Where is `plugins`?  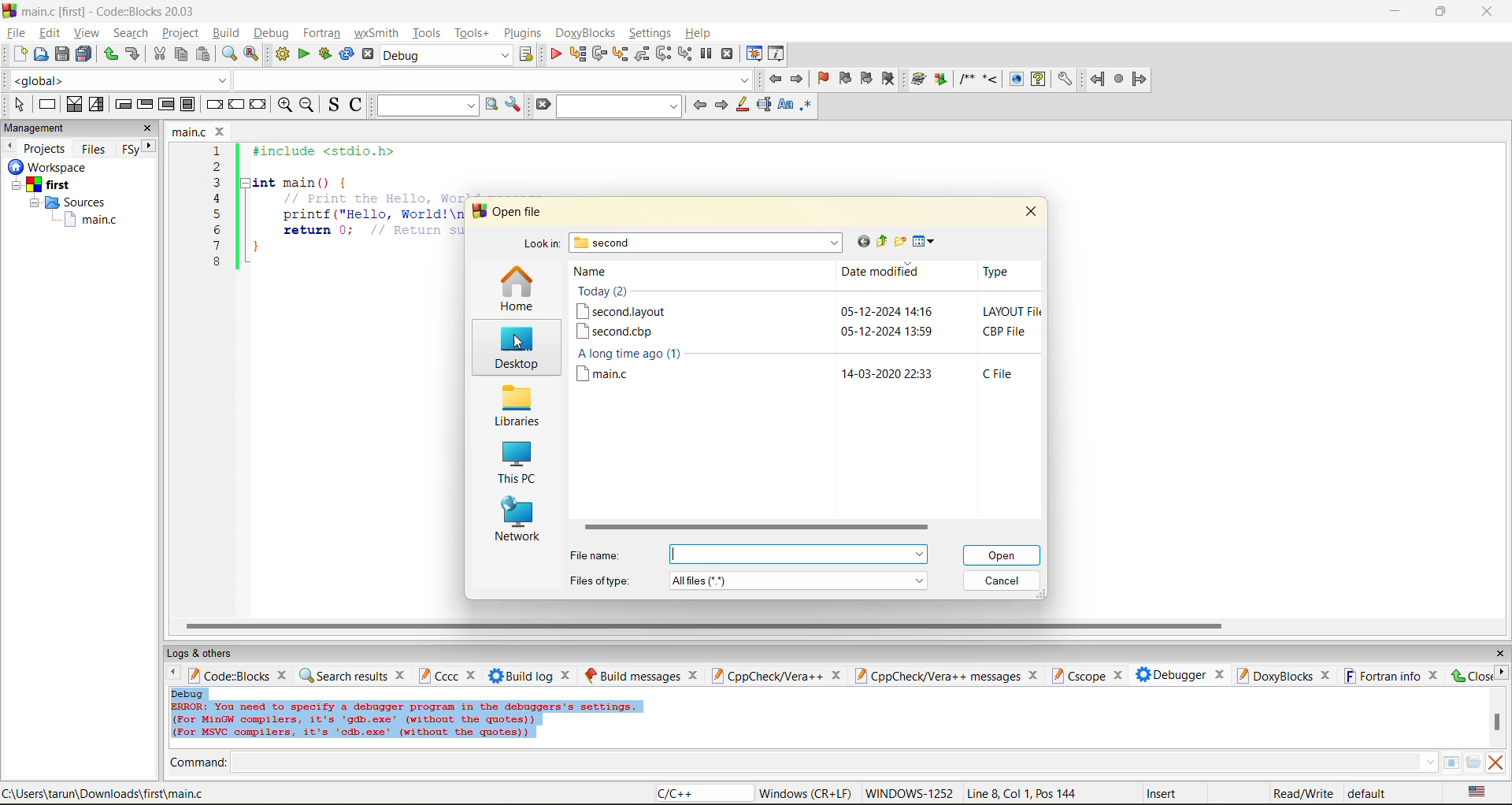 plugins is located at coordinates (524, 33).